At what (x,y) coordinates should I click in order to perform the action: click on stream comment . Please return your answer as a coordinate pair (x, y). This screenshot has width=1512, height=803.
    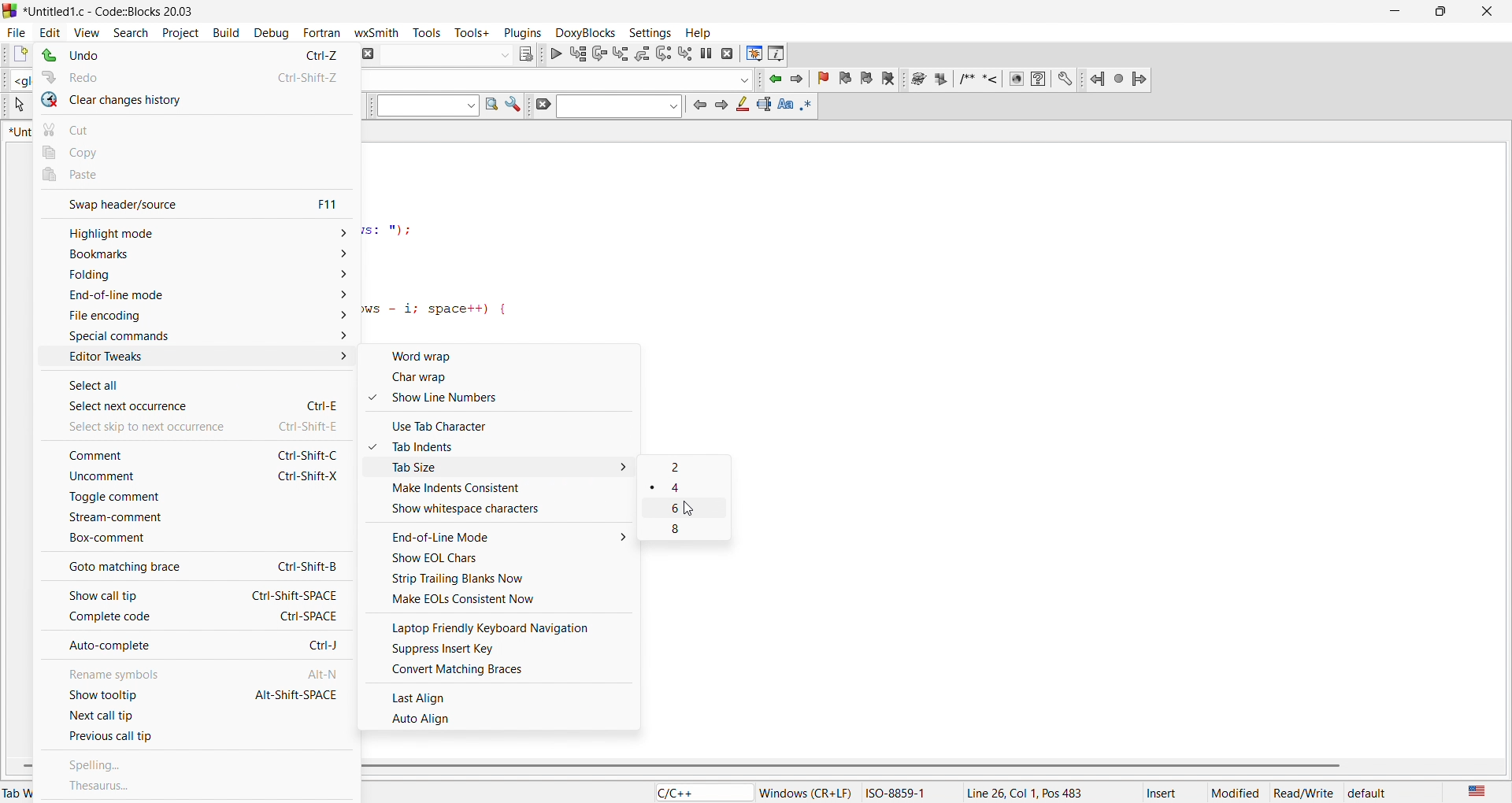
    Looking at the image, I should click on (191, 521).